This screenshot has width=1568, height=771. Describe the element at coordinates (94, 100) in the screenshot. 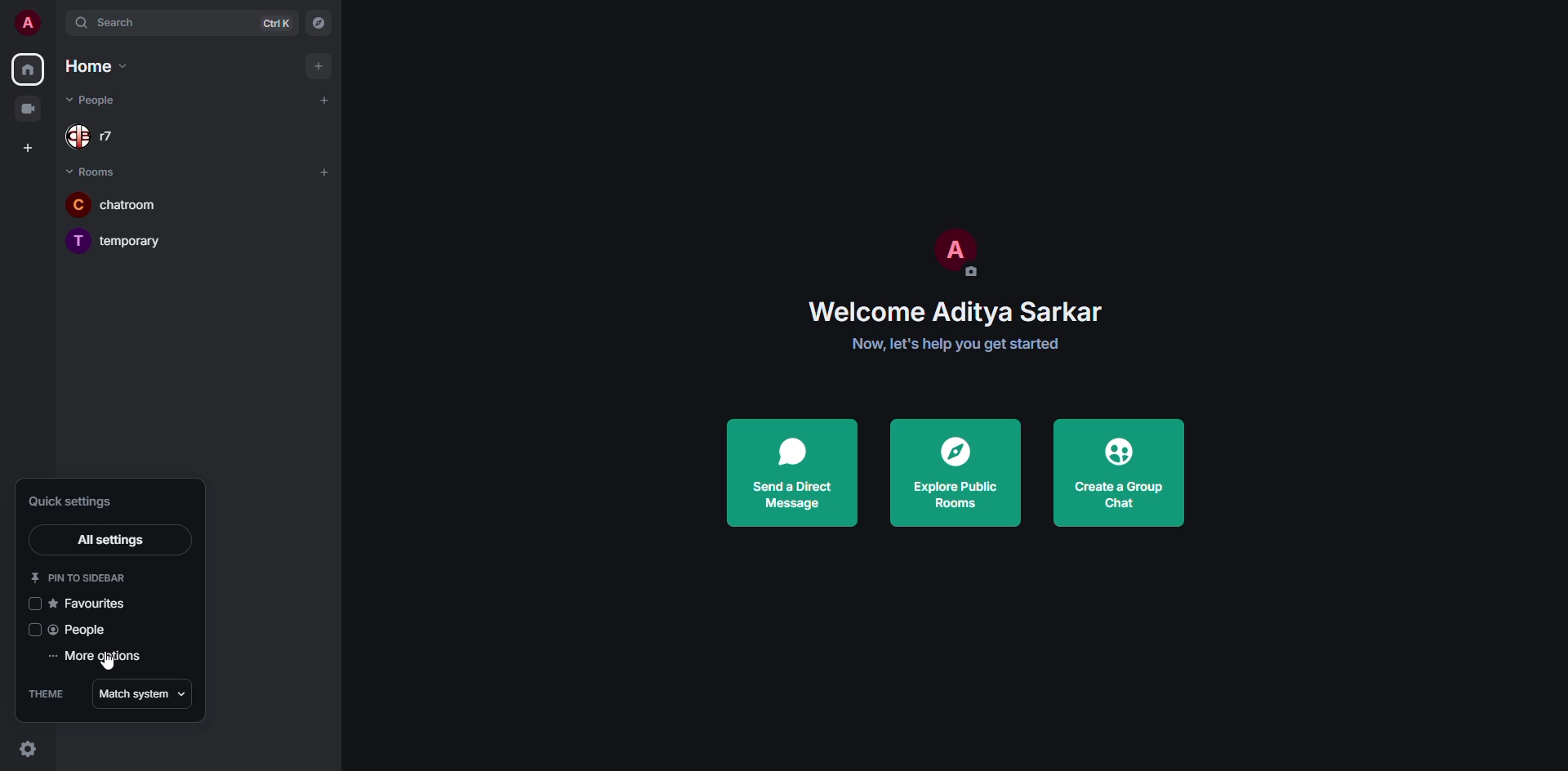

I see `people` at that location.